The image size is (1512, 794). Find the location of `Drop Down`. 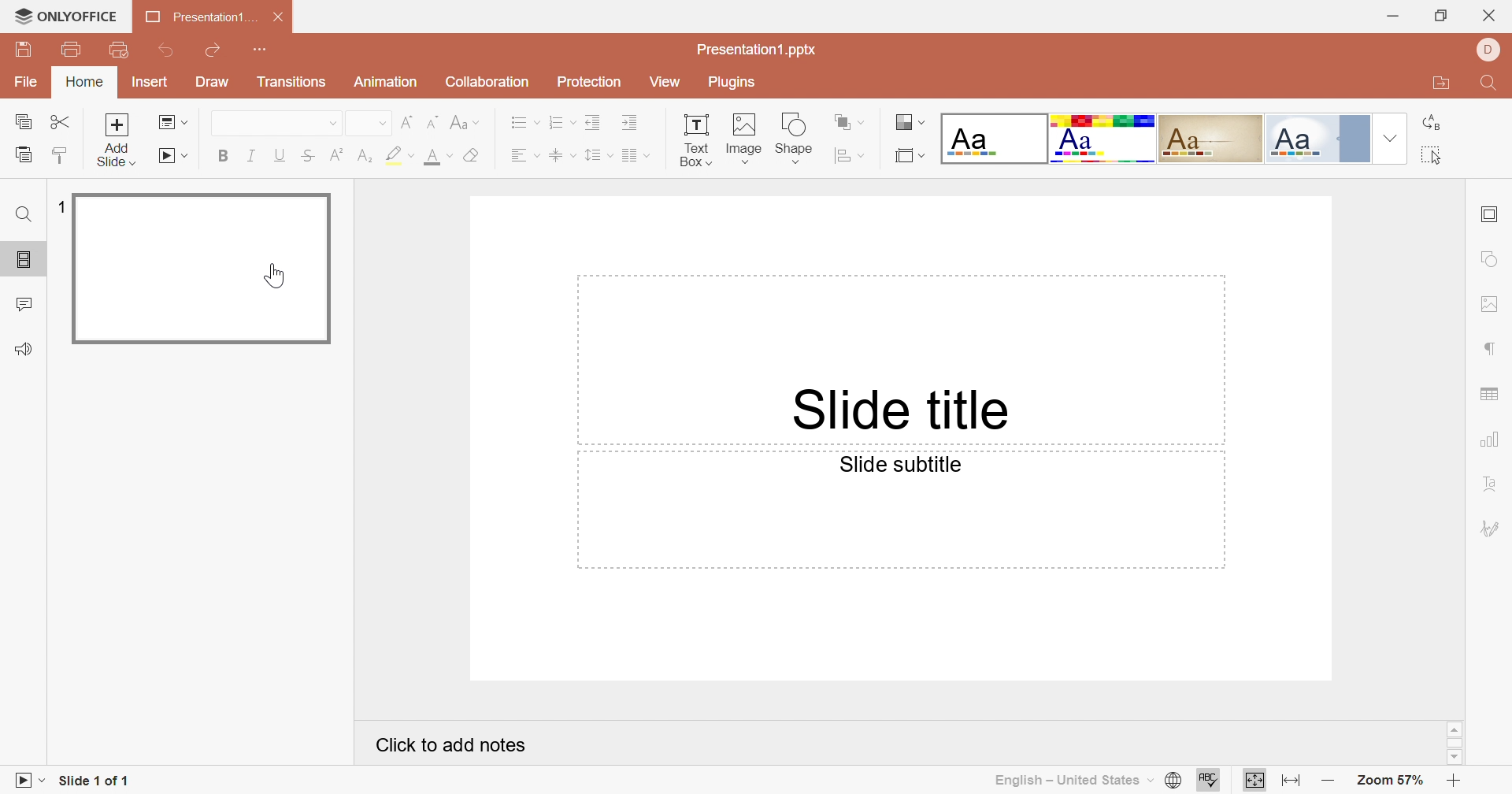

Drop Down is located at coordinates (574, 155).